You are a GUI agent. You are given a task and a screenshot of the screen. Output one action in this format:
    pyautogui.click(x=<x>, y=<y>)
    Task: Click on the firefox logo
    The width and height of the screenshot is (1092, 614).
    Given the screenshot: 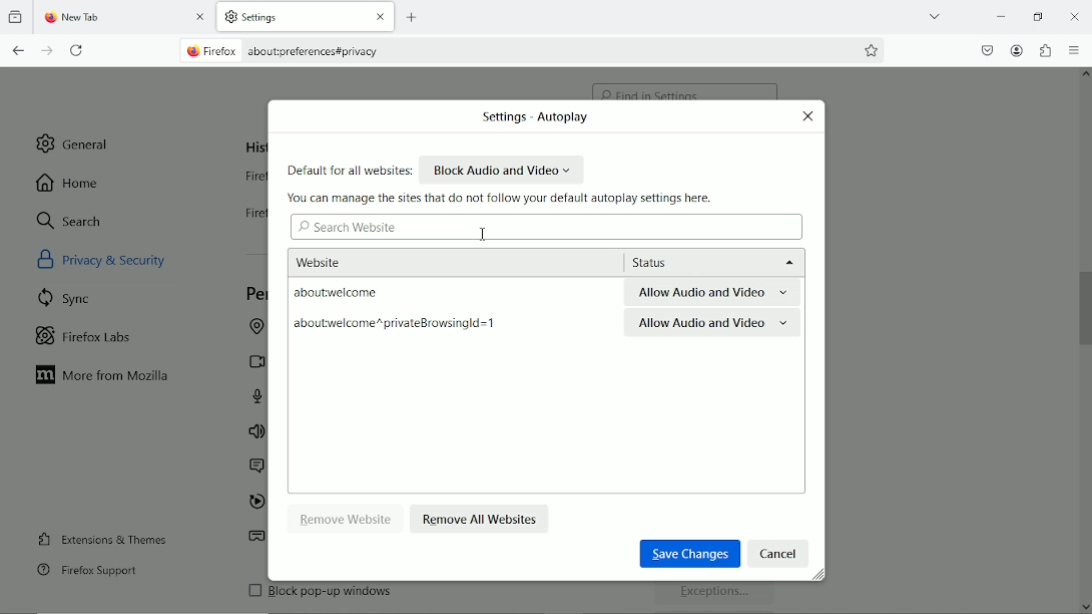 What is the action you would take?
    pyautogui.click(x=48, y=19)
    